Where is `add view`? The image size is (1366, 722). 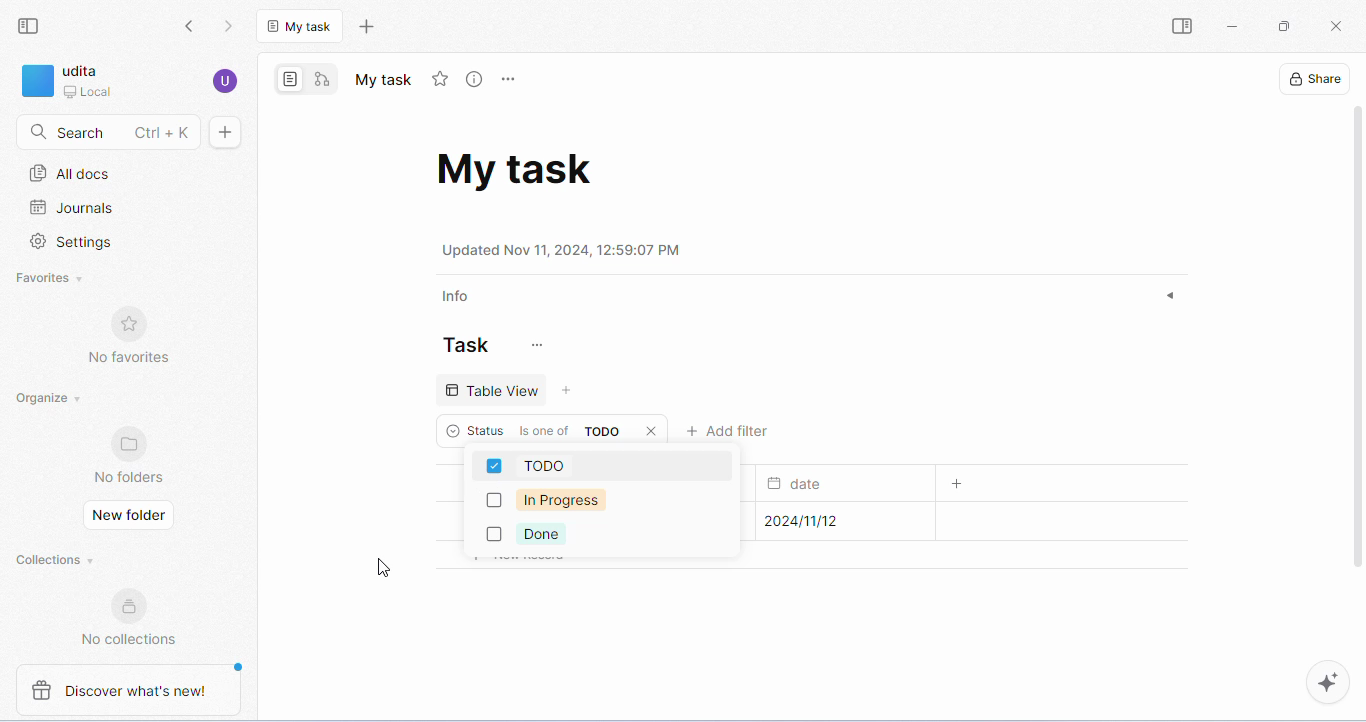 add view is located at coordinates (571, 391).